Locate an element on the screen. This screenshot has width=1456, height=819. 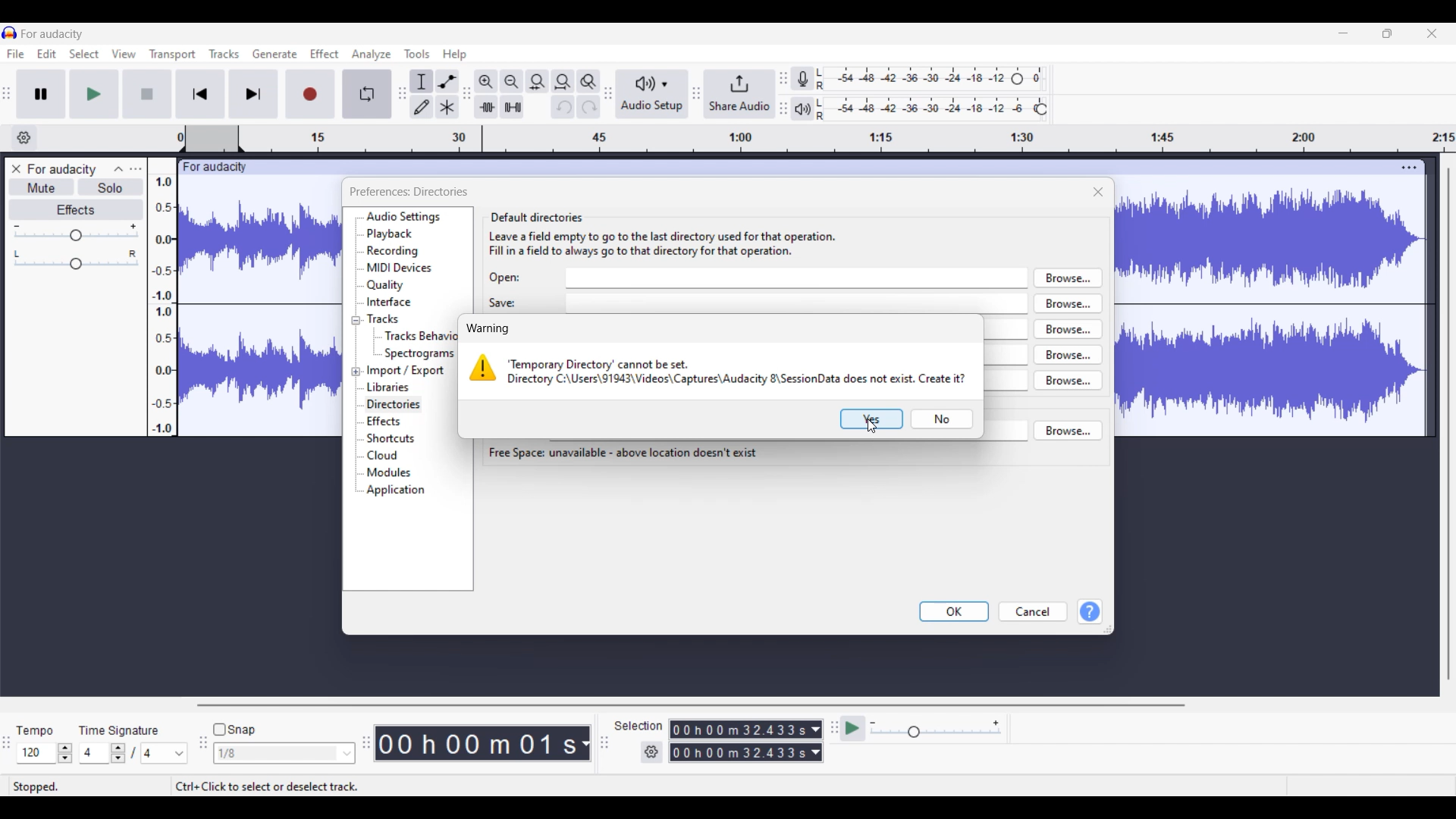
Interface is located at coordinates (390, 302).